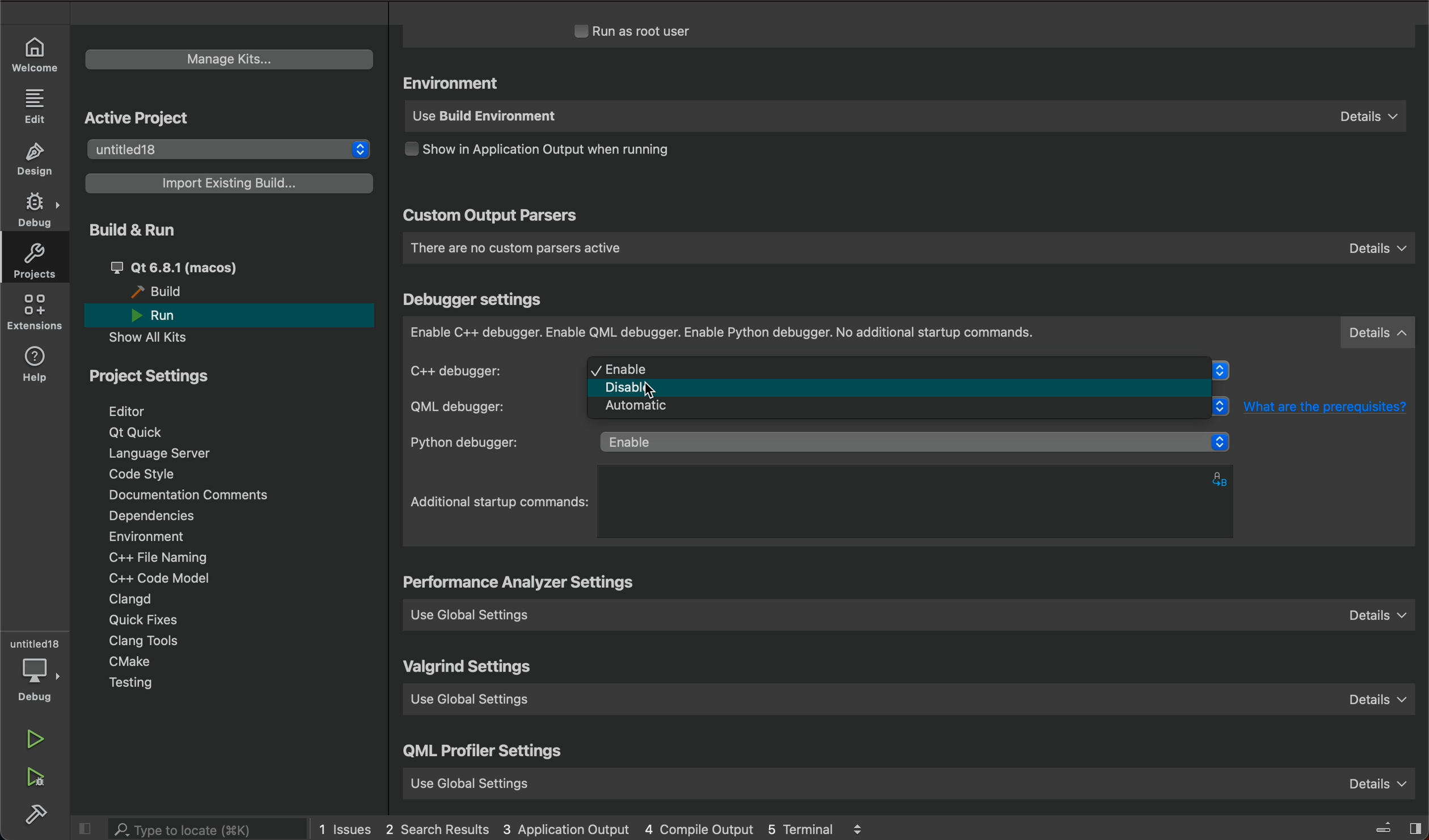  I want to click on untitled, so click(35, 644).